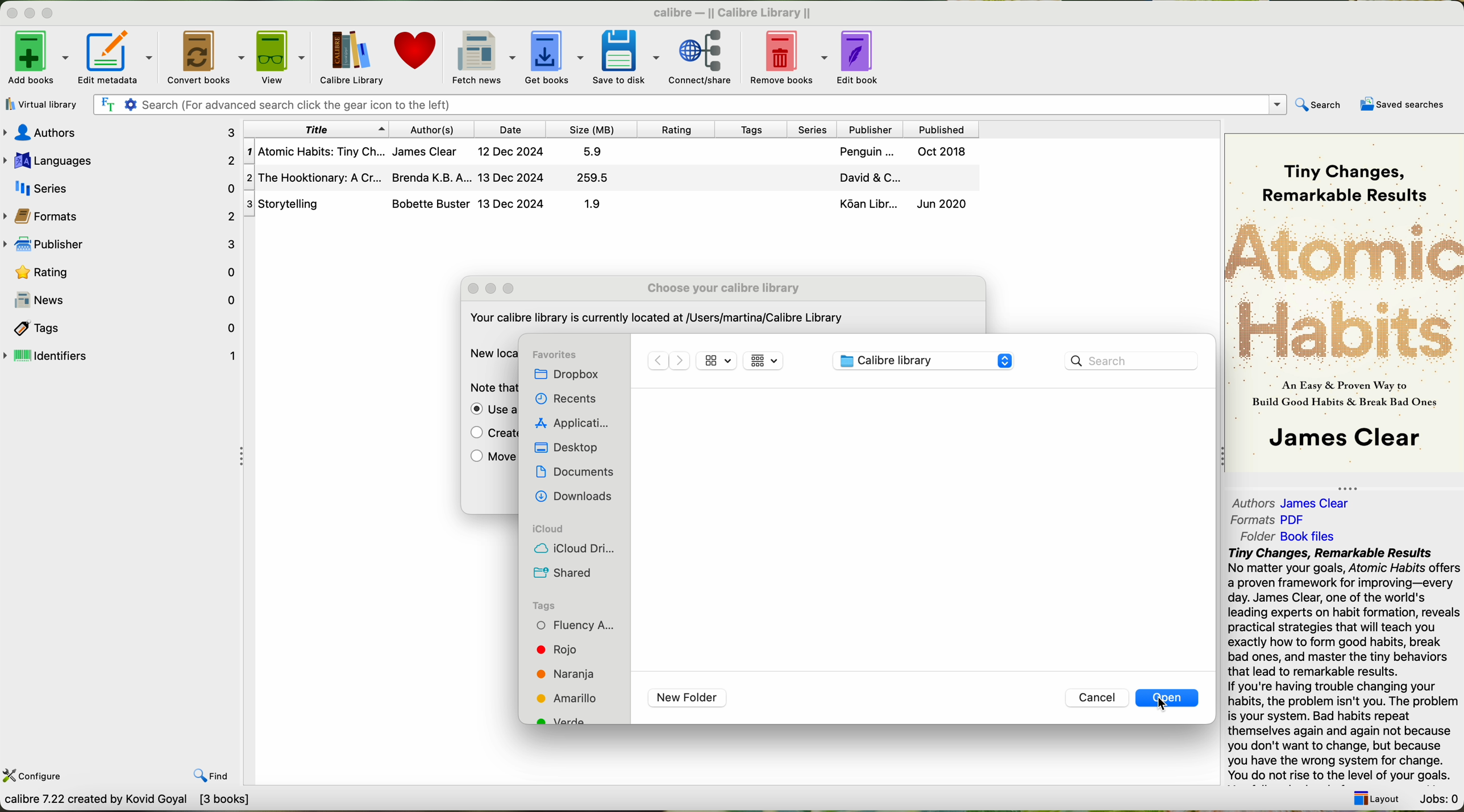 This screenshot has width=1464, height=812. What do you see at coordinates (119, 131) in the screenshot?
I see `authors` at bounding box center [119, 131].